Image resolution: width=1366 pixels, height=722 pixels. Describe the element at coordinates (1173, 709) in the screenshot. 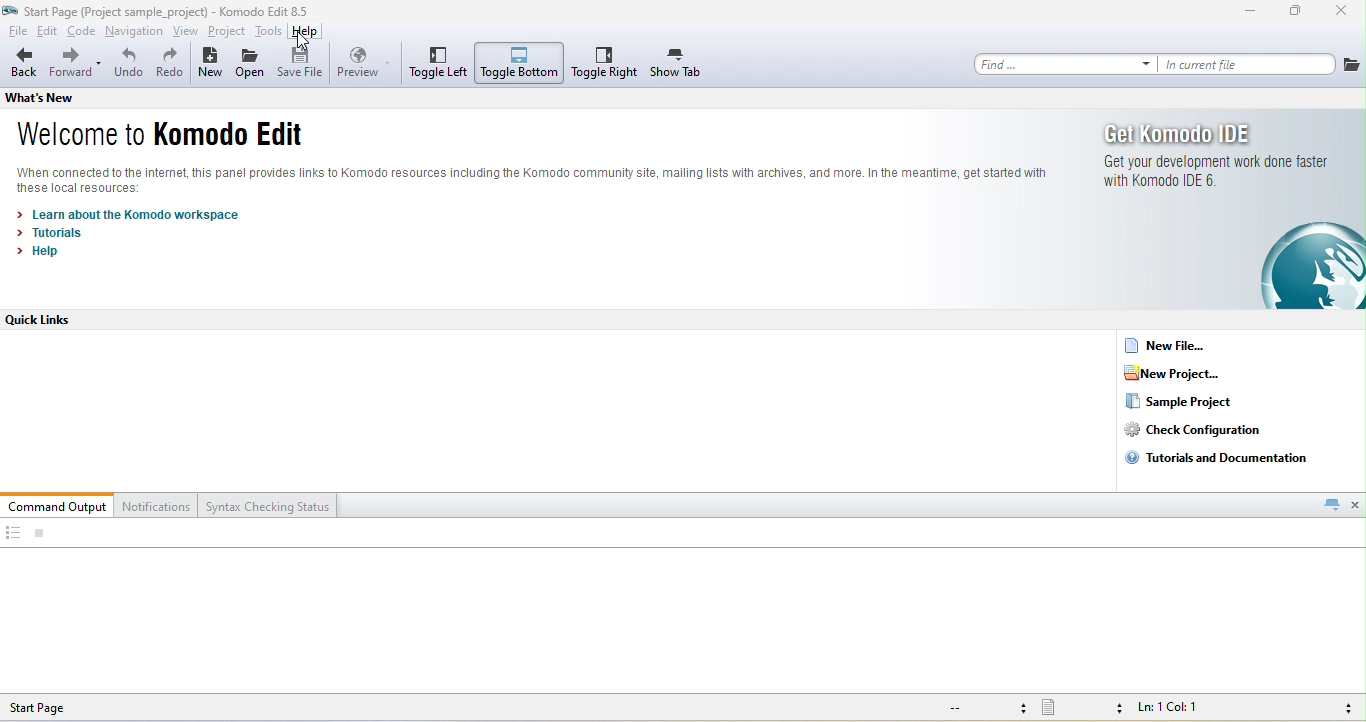

I see `ln 1, col 1` at that location.